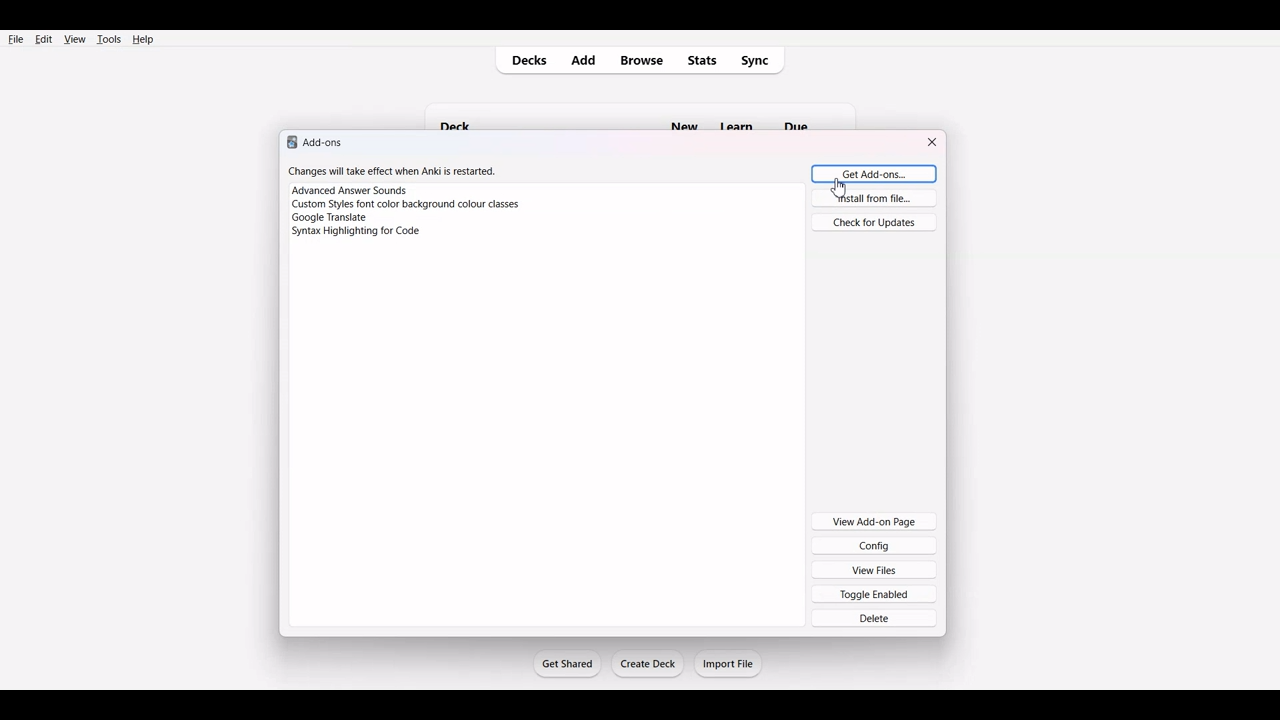 The image size is (1280, 720). Describe the element at coordinates (742, 114) in the screenshot. I see `` at that location.